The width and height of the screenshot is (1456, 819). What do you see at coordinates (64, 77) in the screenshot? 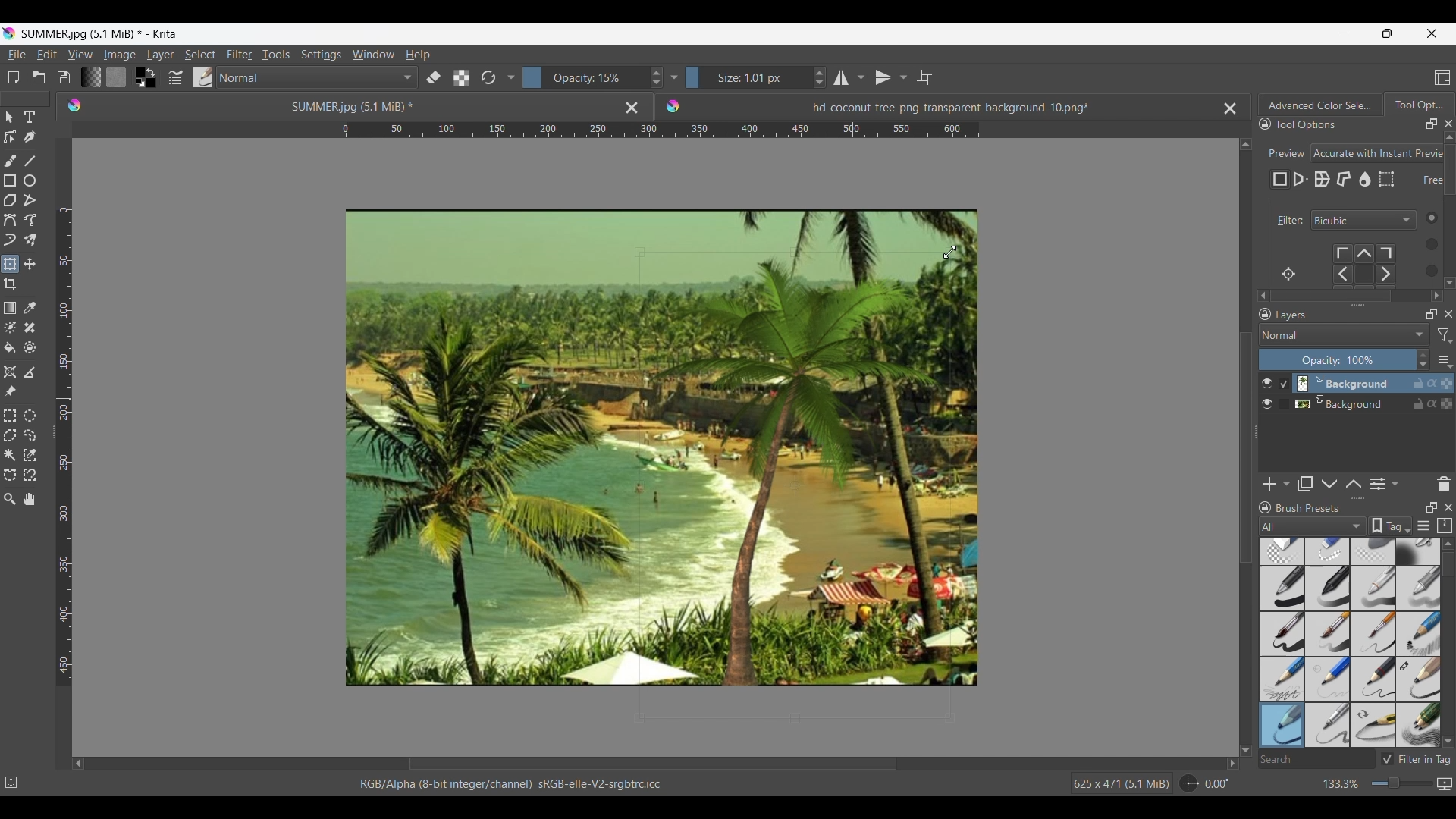
I see `Save` at bounding box center [64, 77].